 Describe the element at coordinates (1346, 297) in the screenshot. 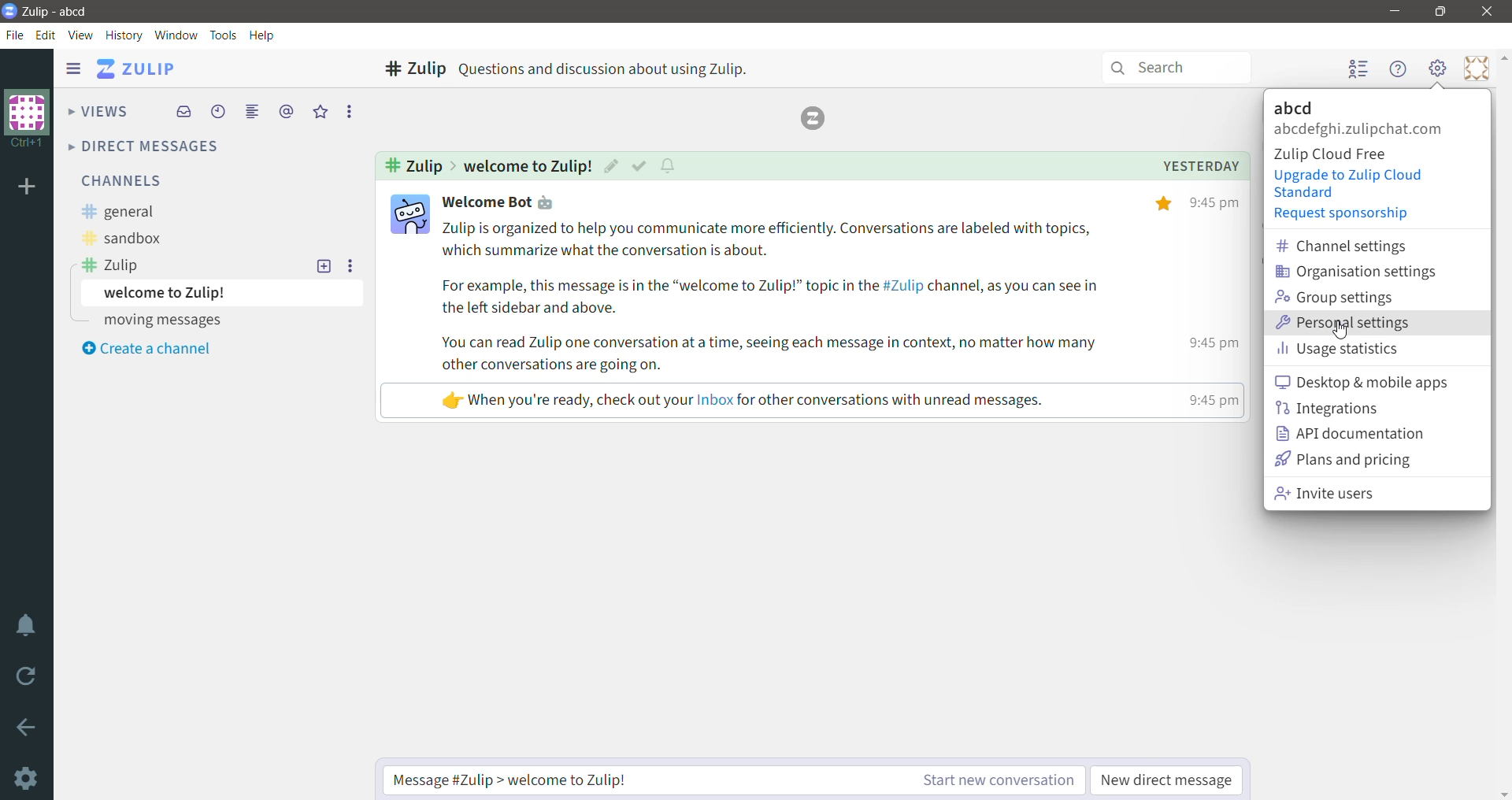

I see `Group settings` at that location.